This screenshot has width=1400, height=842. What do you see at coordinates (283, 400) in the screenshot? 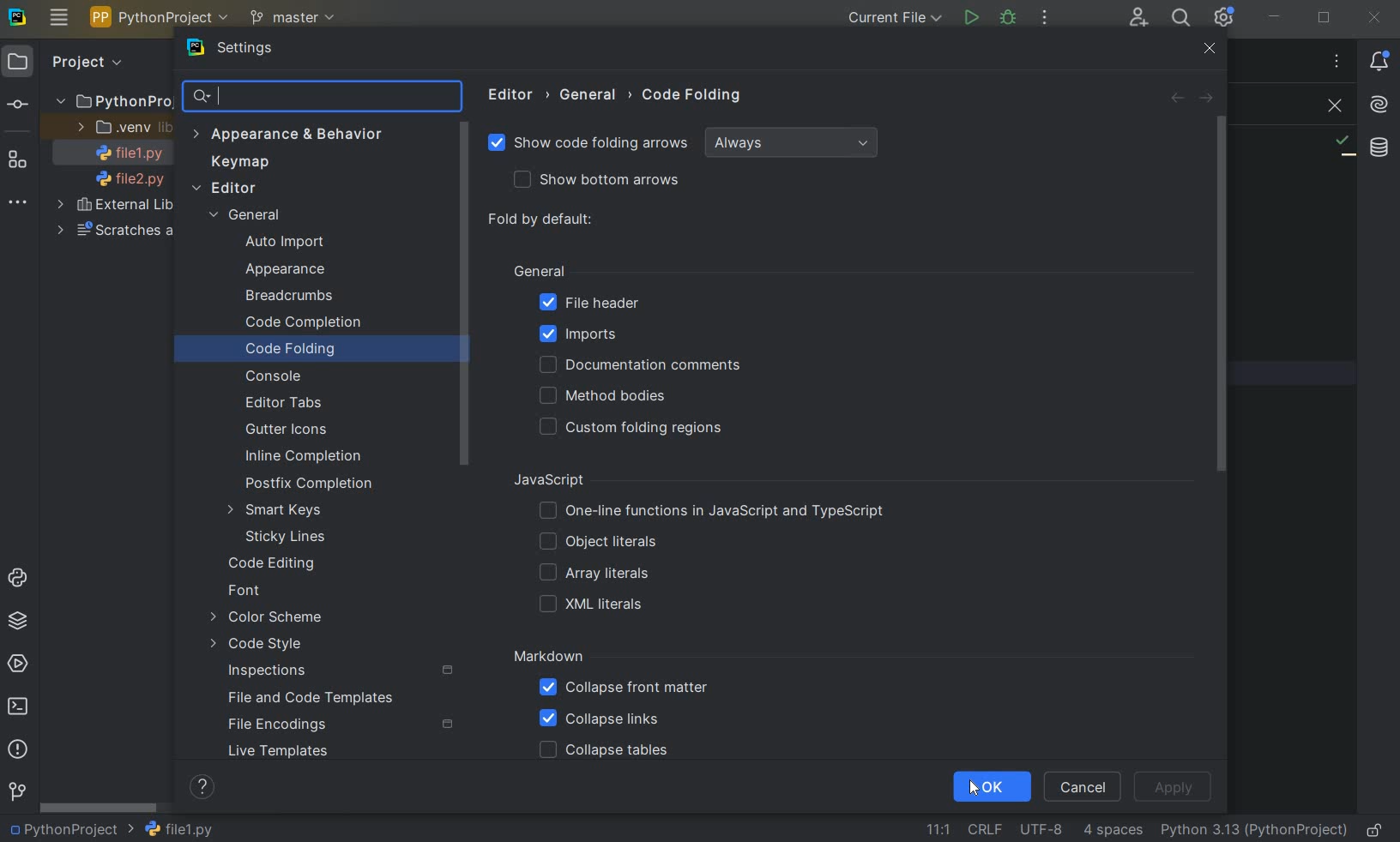
I see `EDITOR TABS` at bounding box center [283, 400].